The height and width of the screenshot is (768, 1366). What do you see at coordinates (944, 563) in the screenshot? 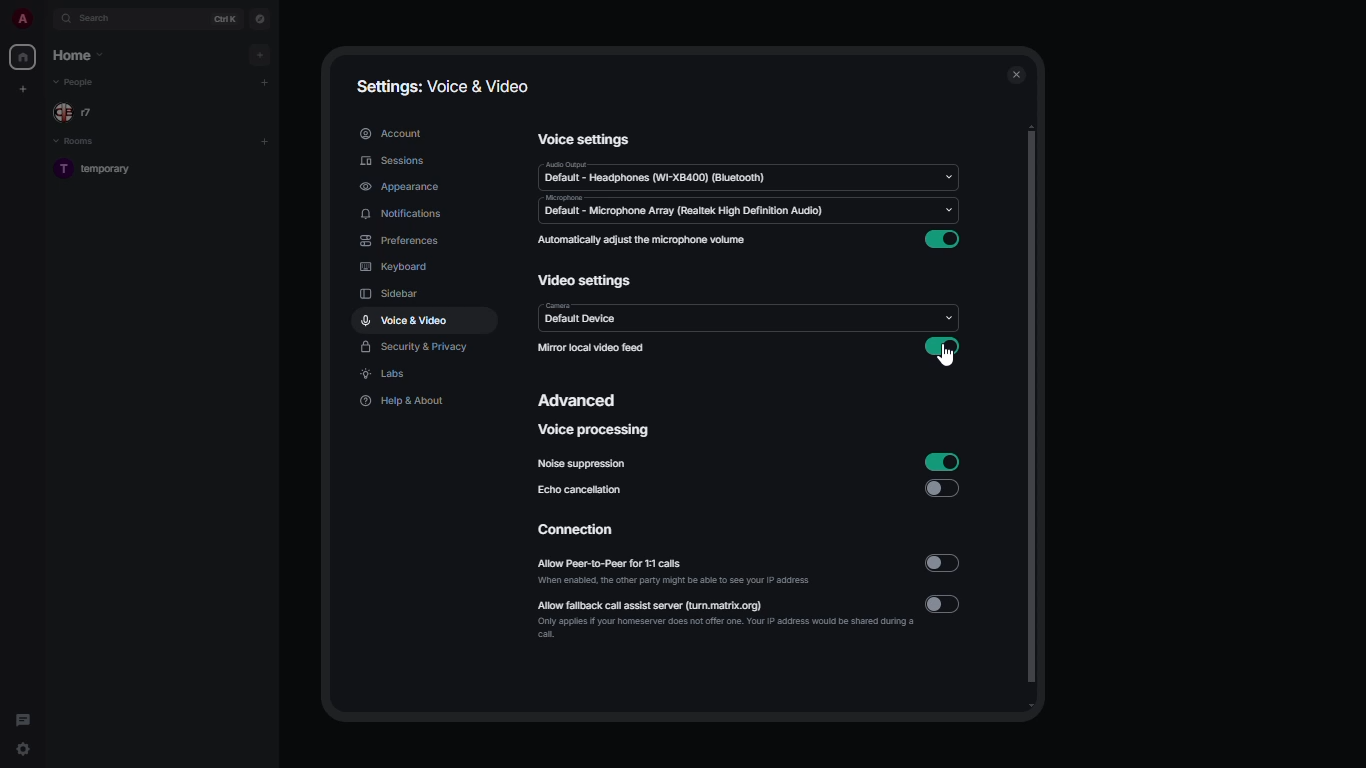
I see `disabled` at bounding box center [944, 563].